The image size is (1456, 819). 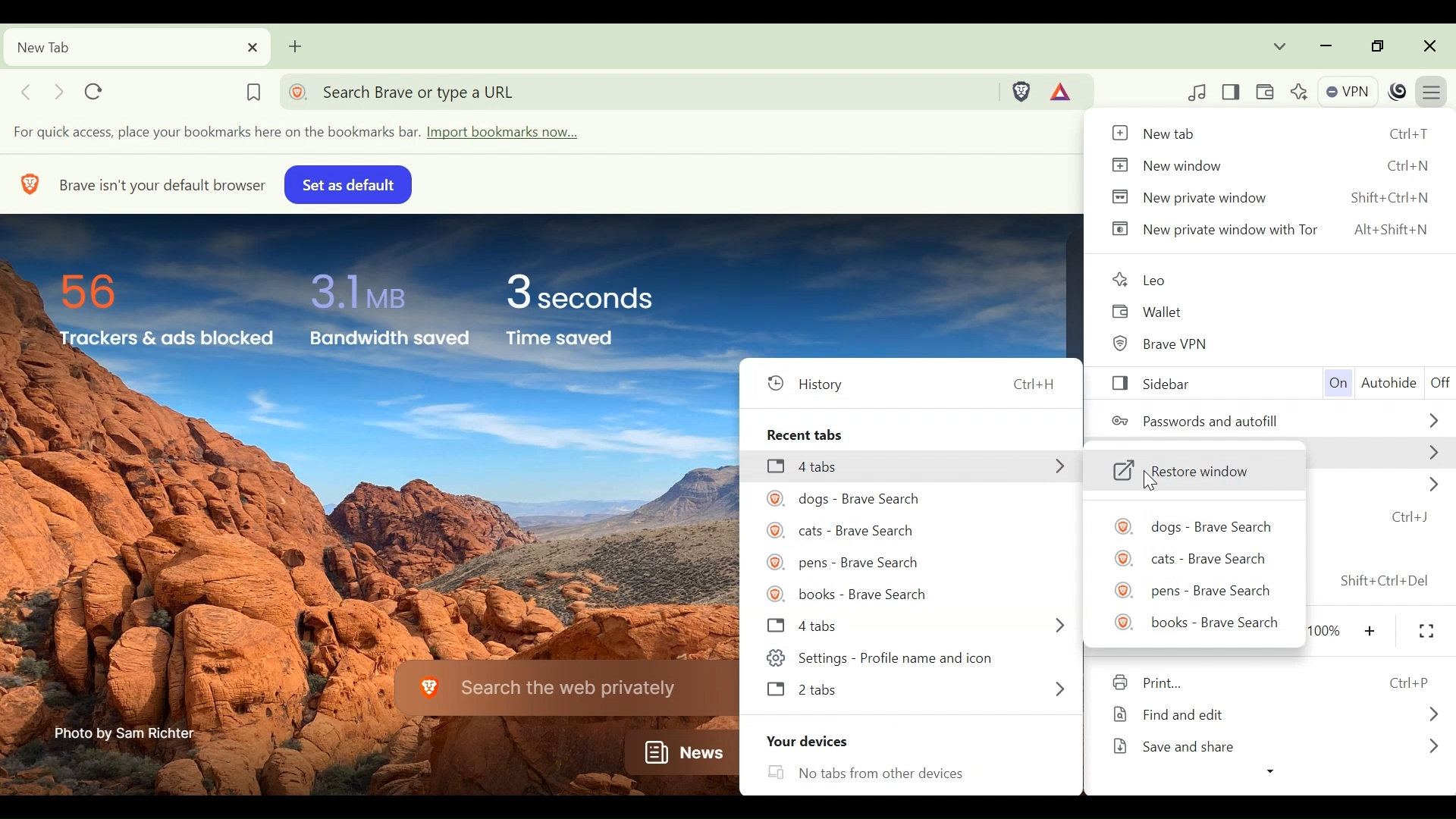 What do you see at coordinates (1197, 92) in the screenshot?
I see `Control your videos, music and more` at bounding box center [1197, 92].